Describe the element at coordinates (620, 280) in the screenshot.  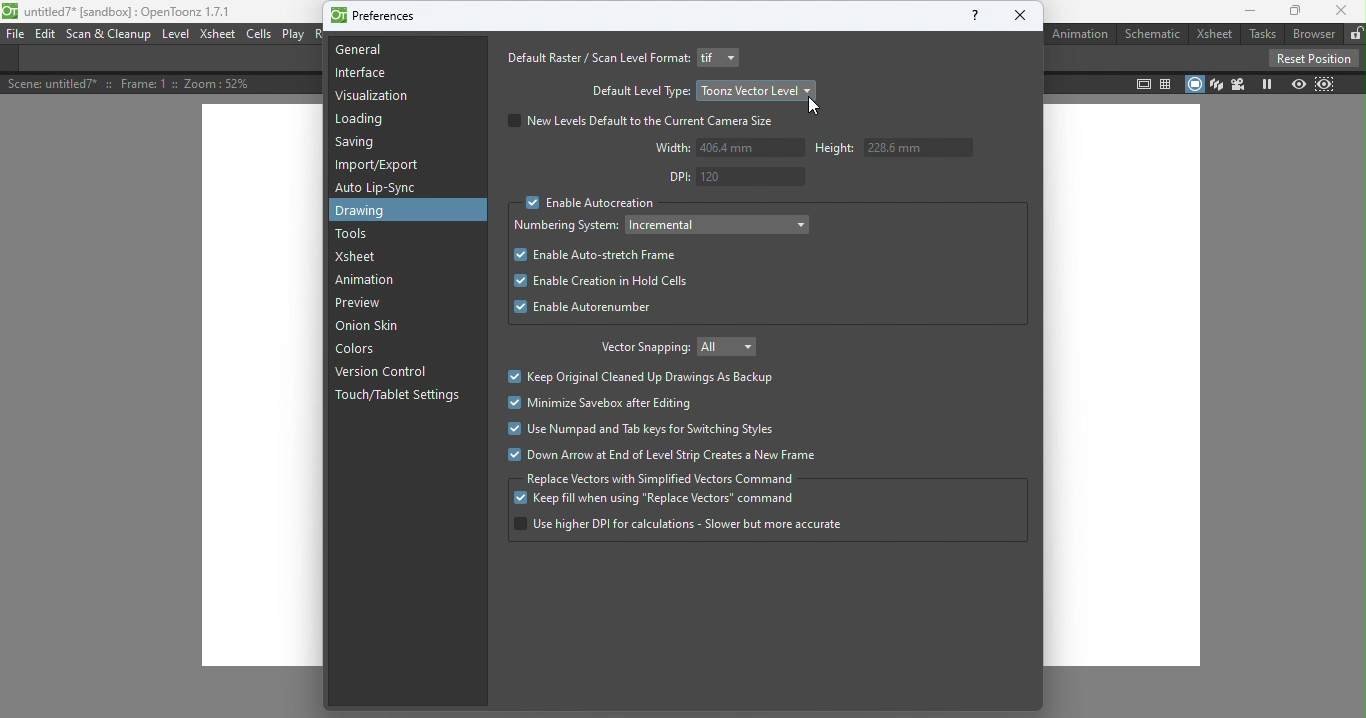
I see `Enable create in hold cells` at that location.